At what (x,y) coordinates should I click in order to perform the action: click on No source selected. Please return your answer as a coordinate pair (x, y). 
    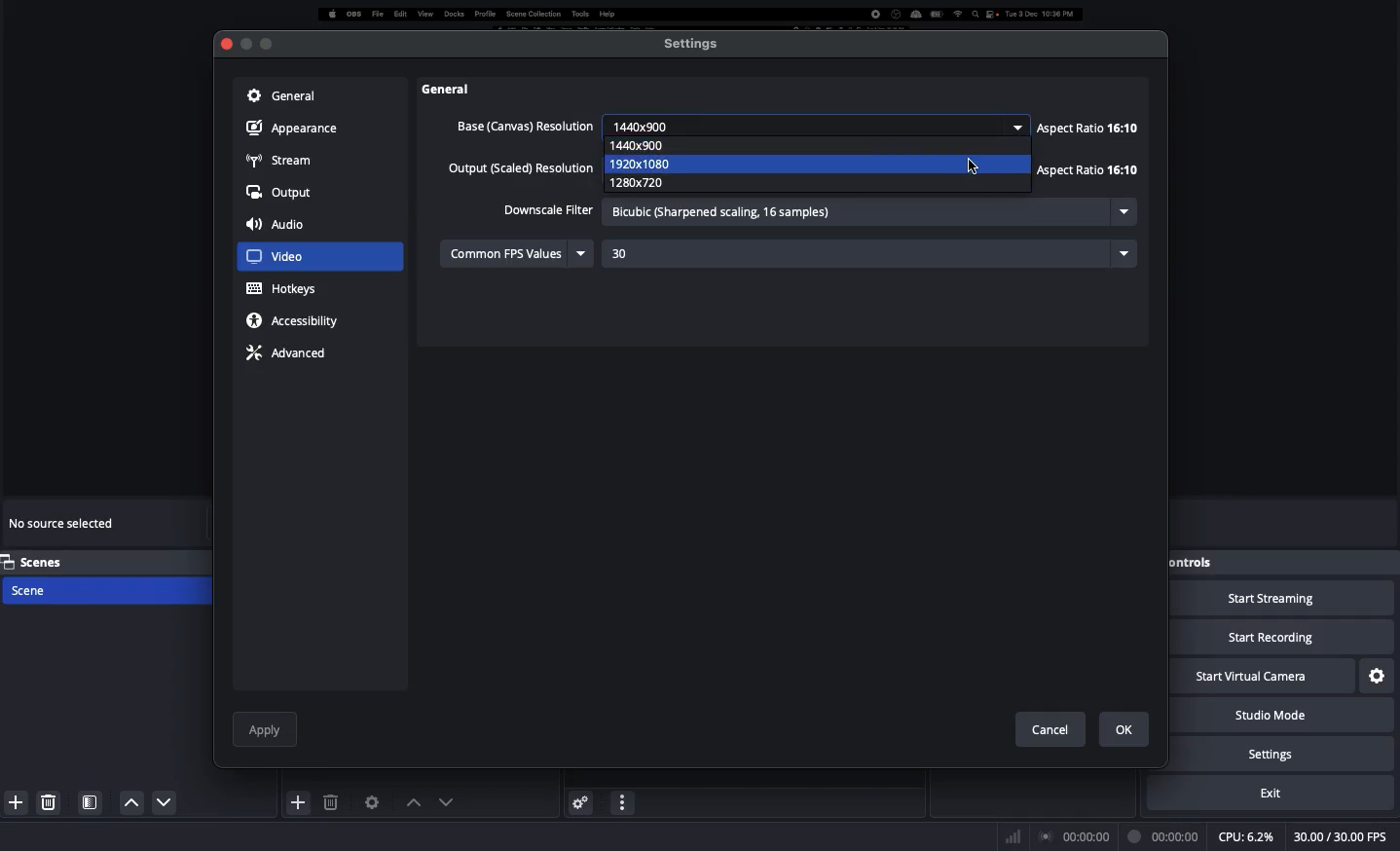
    Looking at the image, I should click on (64, 527).